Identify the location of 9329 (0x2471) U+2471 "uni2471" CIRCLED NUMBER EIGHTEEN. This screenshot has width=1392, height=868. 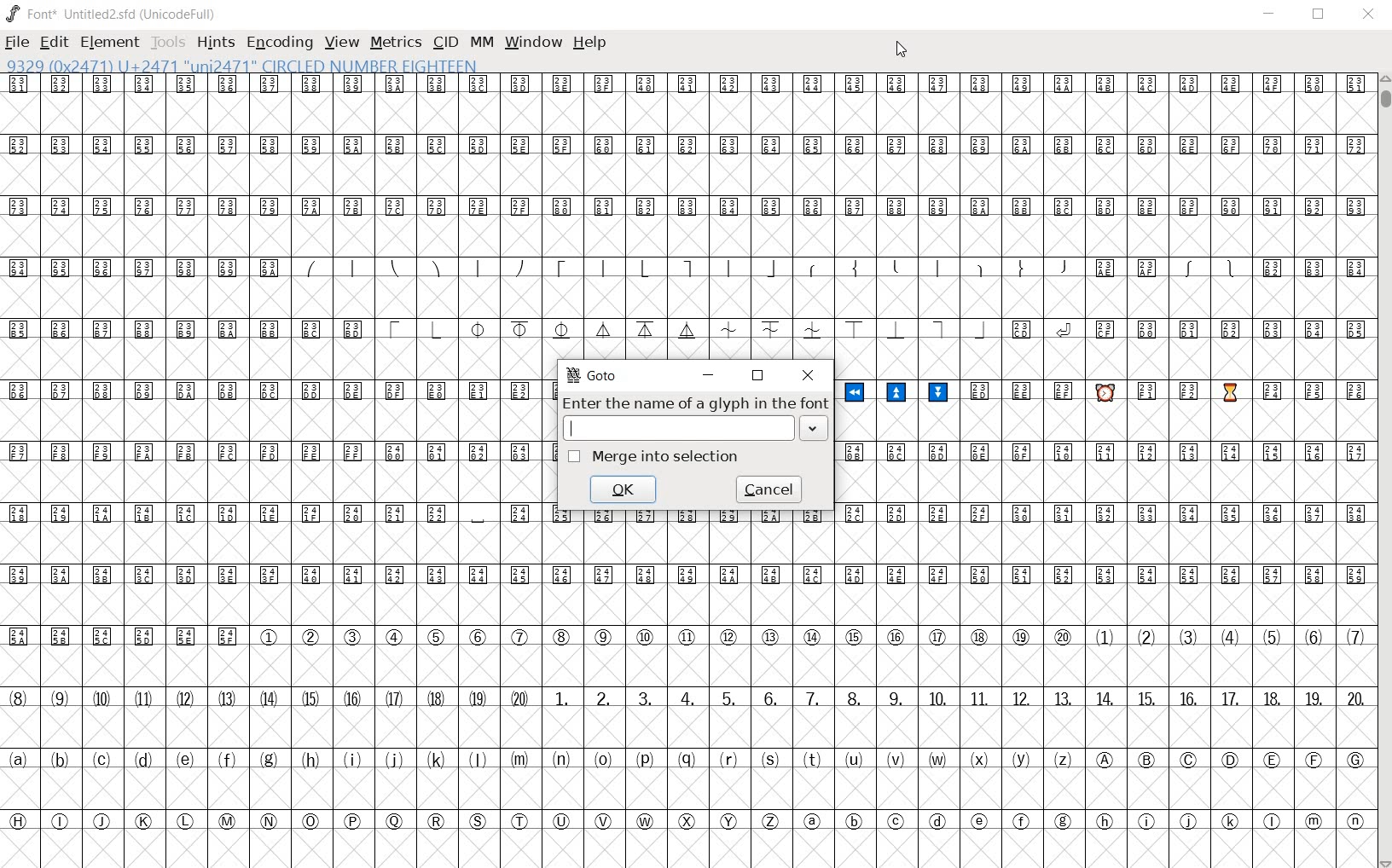
(245, 67).